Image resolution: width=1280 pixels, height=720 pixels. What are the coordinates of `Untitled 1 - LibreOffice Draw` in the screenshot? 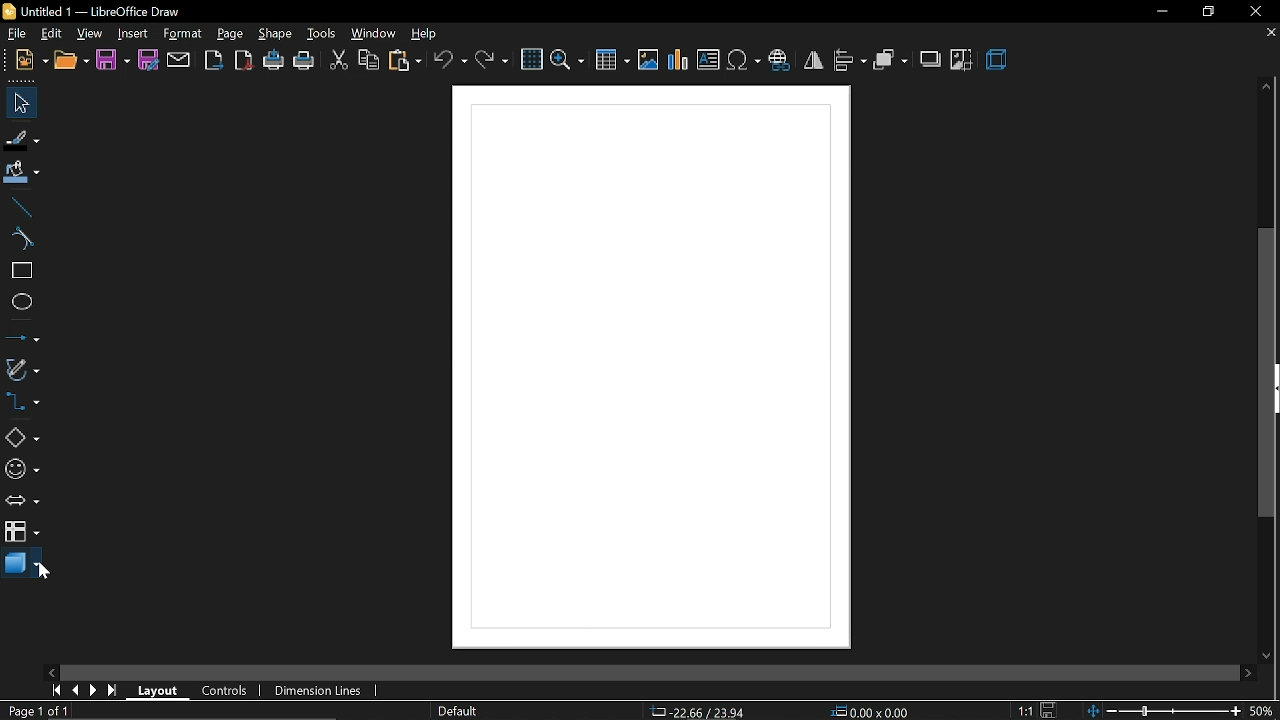 It's located at (91, 9).